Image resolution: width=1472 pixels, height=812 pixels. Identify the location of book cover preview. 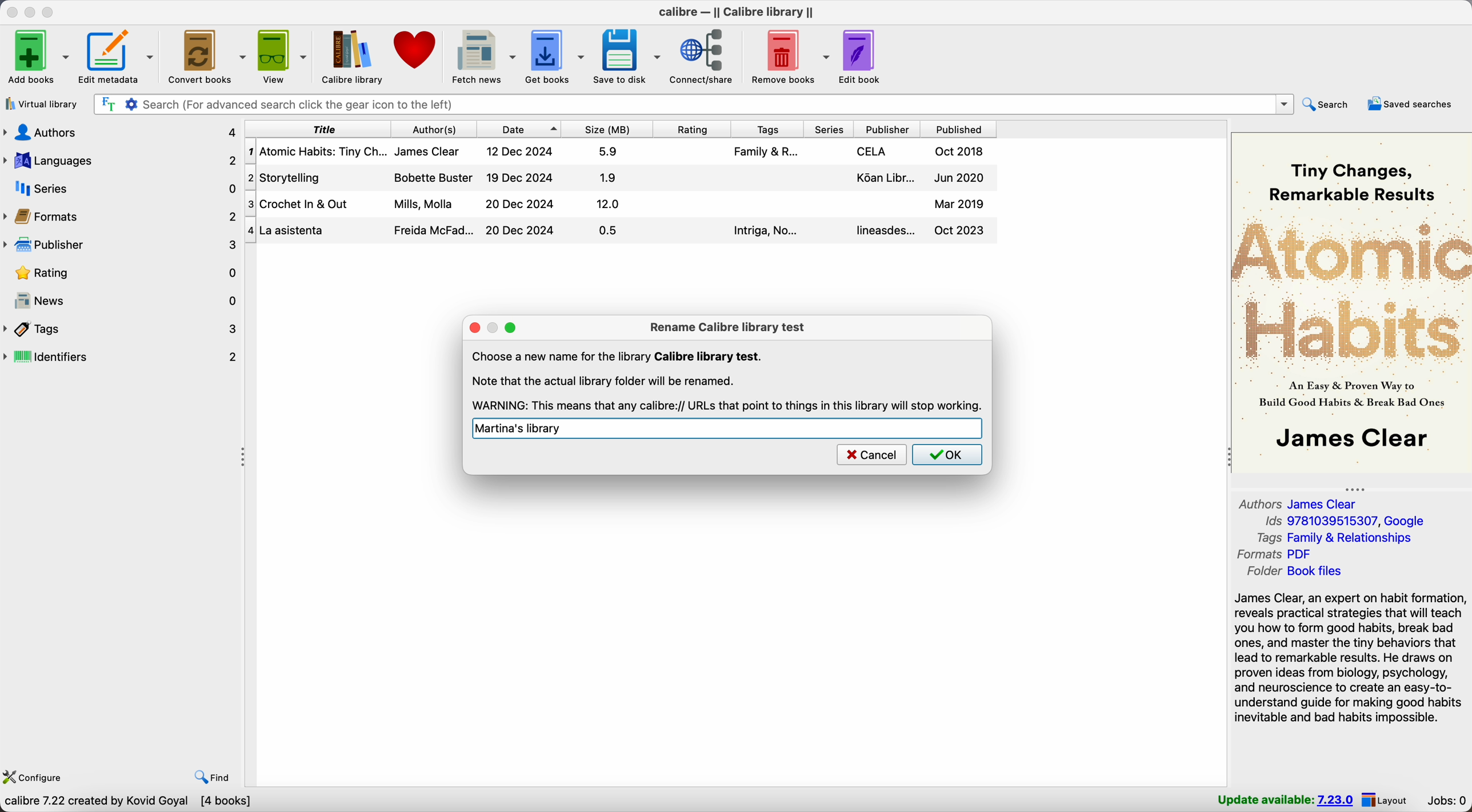
(1350, 301).